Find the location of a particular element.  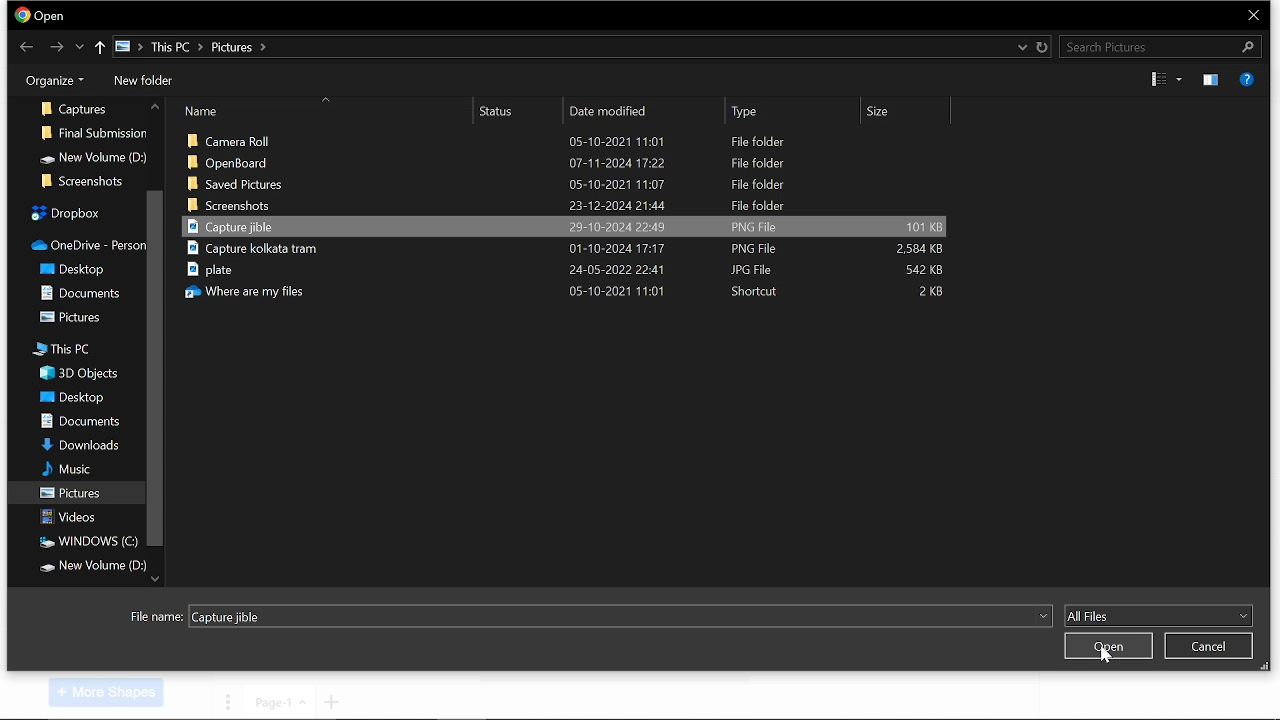

new folder is located at coordinates (141, 82).